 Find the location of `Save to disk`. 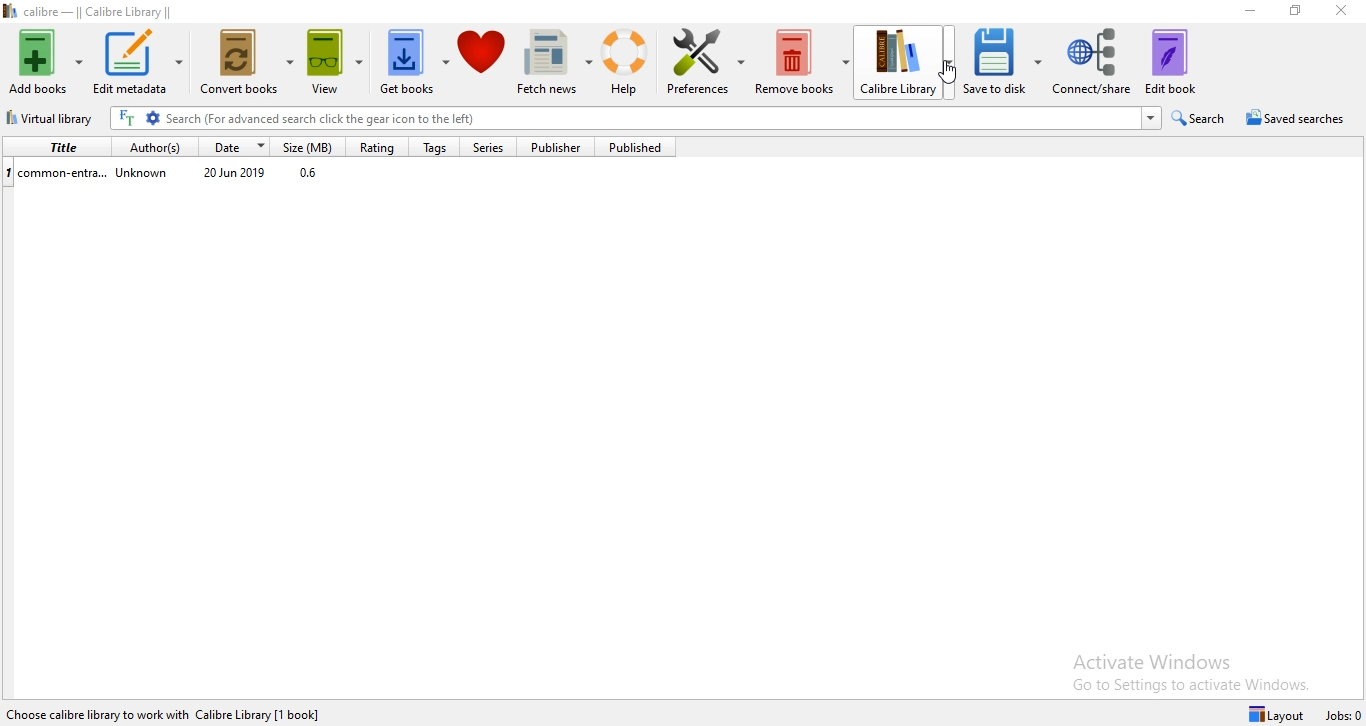

Save to disk is located at coordinates (1006, 64).